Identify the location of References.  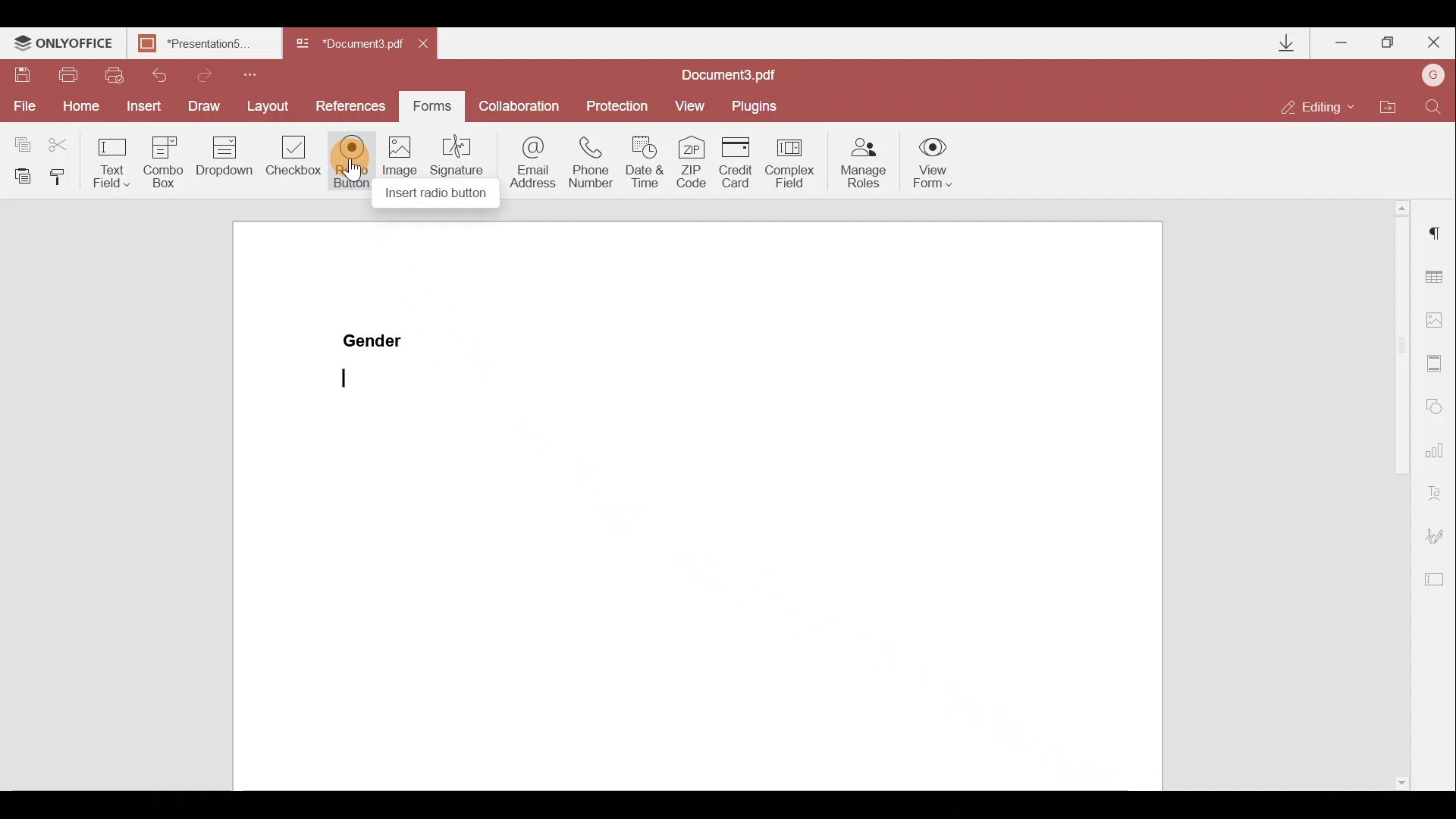
(352, 105).